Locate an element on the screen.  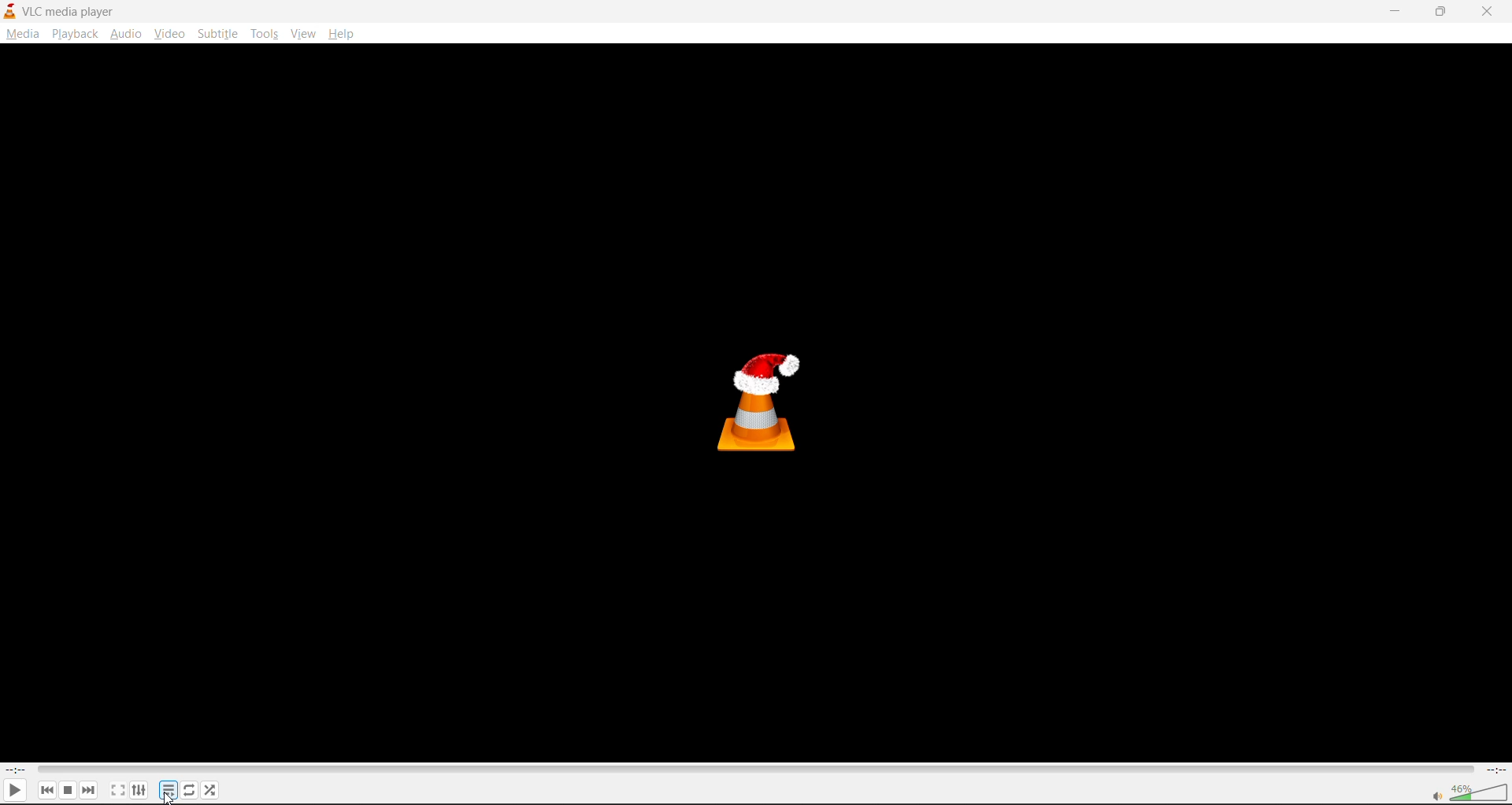
settings is located at coordinates (139, 789).